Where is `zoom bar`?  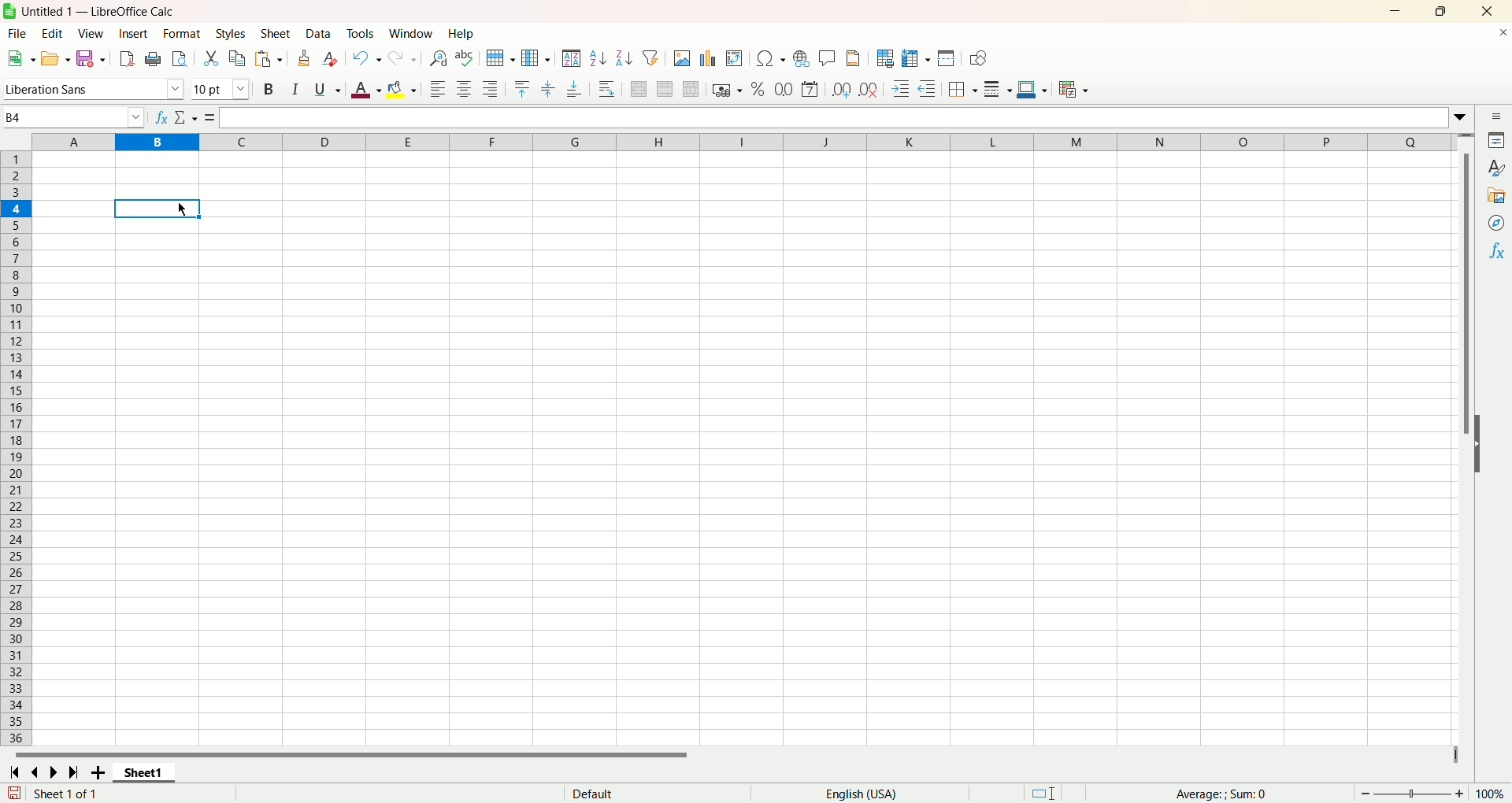 zoom bar is located at coordinates (1412, 794).